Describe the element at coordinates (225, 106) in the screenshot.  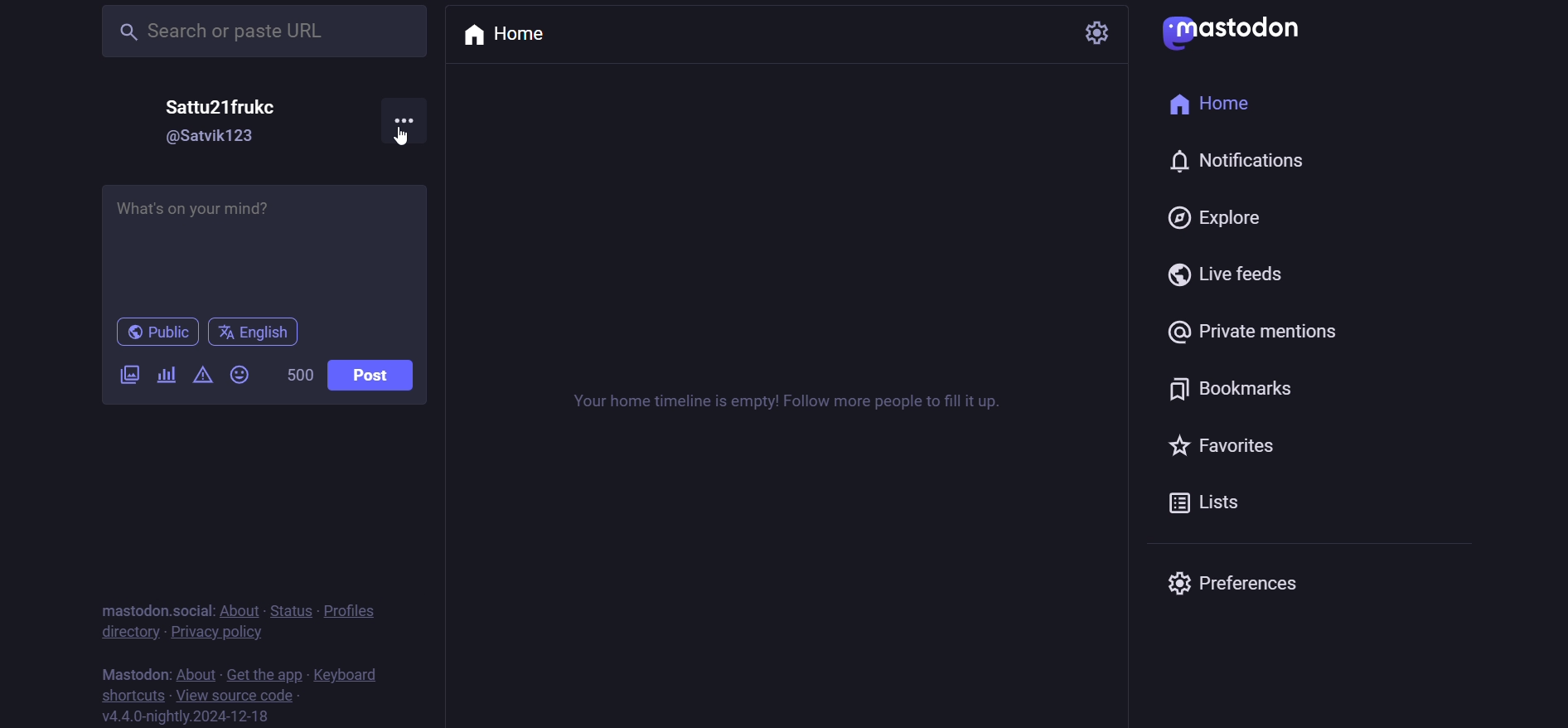
I see `name` at that location.